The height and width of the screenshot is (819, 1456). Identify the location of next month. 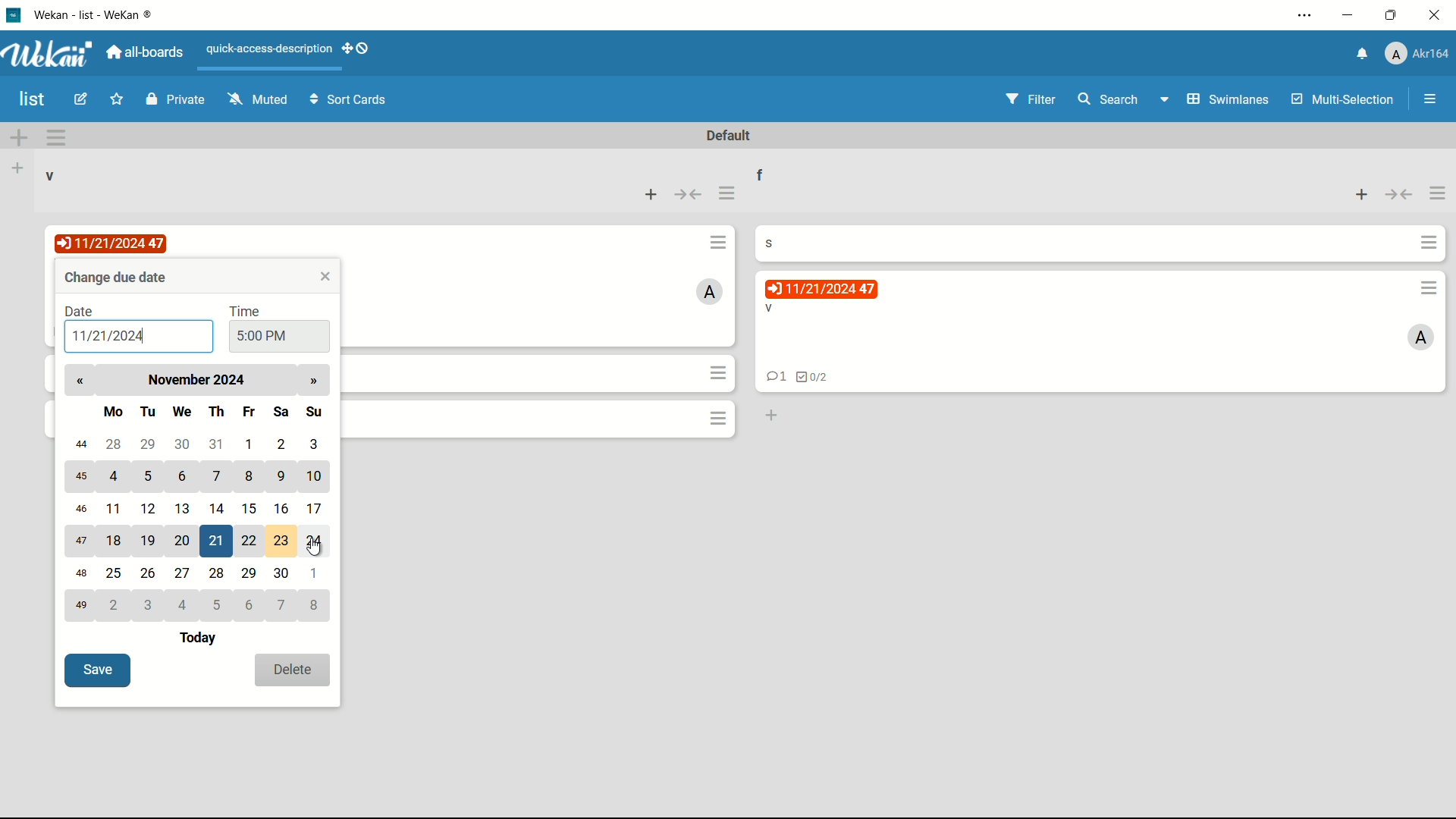
(312, 381).